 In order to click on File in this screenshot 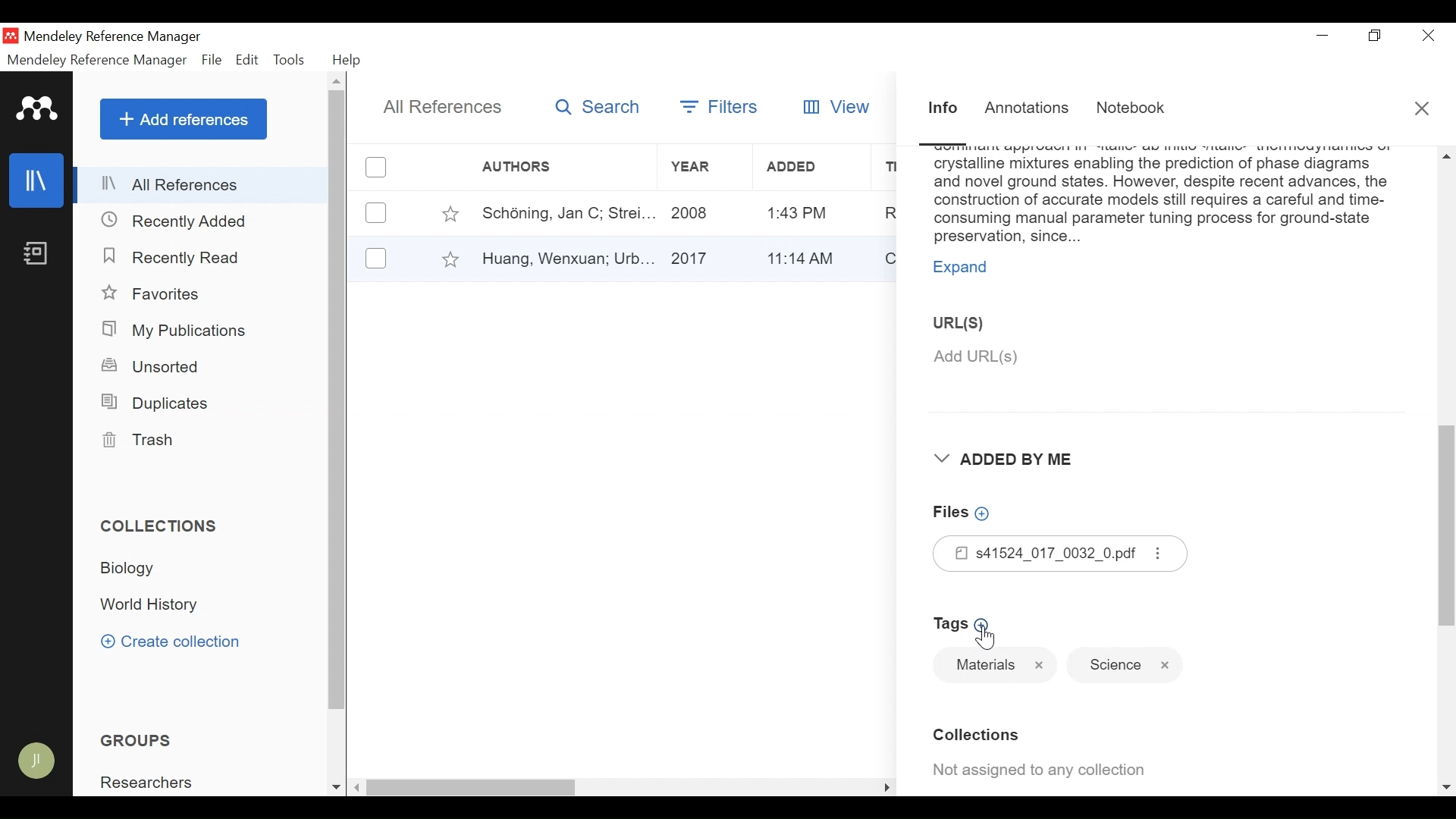, I will do `click(212, 61)`.